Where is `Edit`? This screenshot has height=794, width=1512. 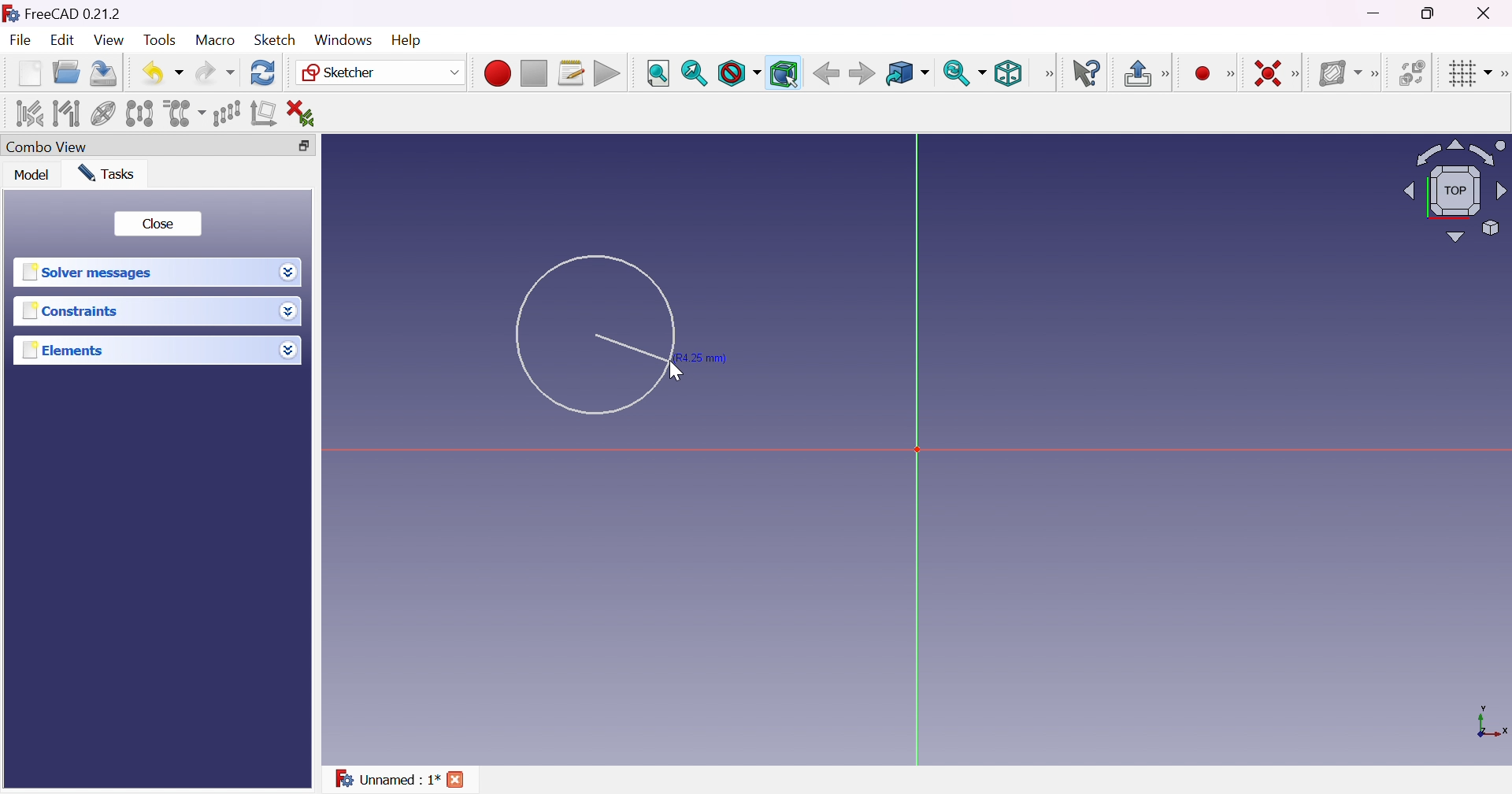 Edit is located at coordinates (61, 42).